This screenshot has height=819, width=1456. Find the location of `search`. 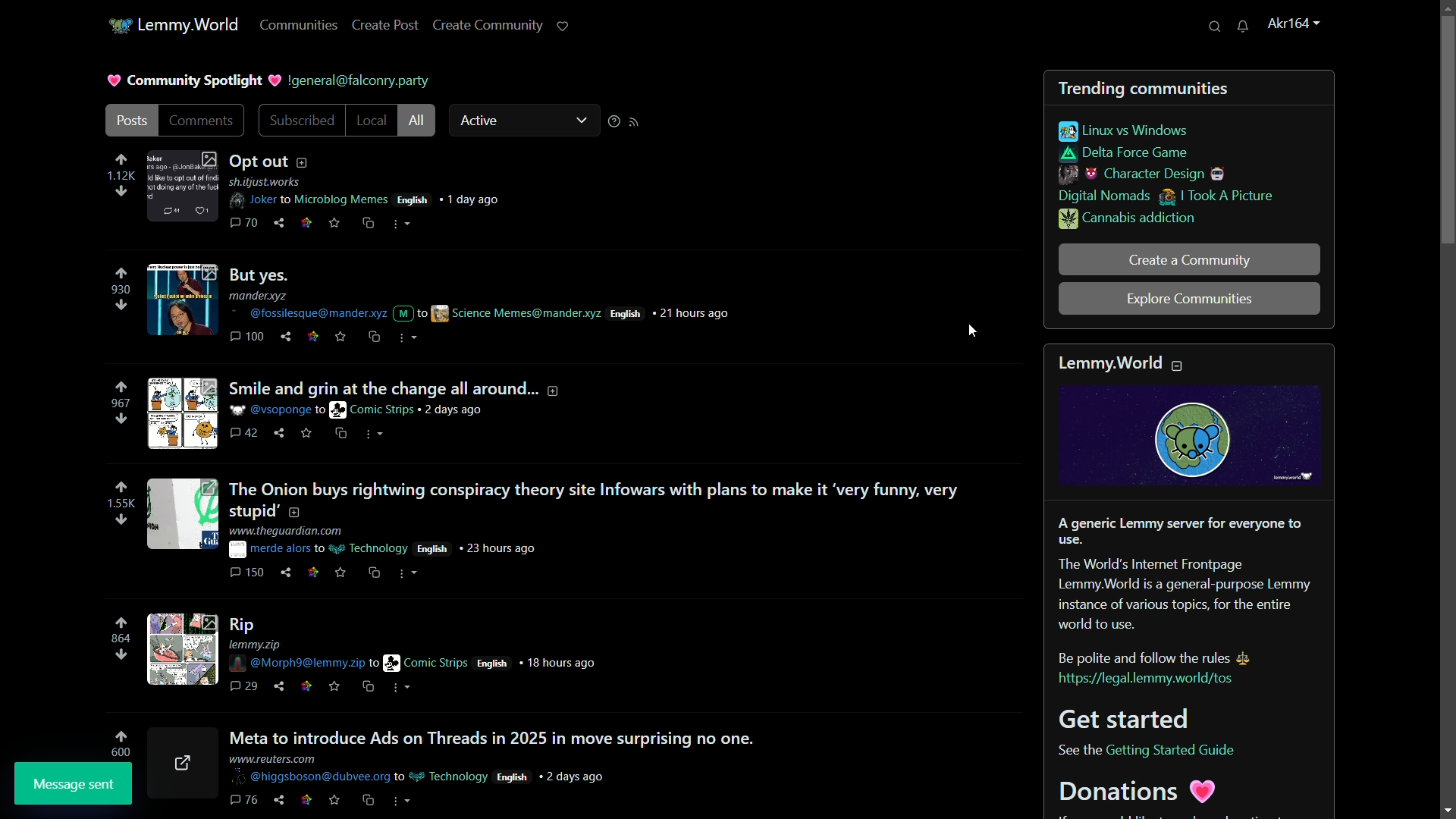

search is located at coordinates (1216, 25).